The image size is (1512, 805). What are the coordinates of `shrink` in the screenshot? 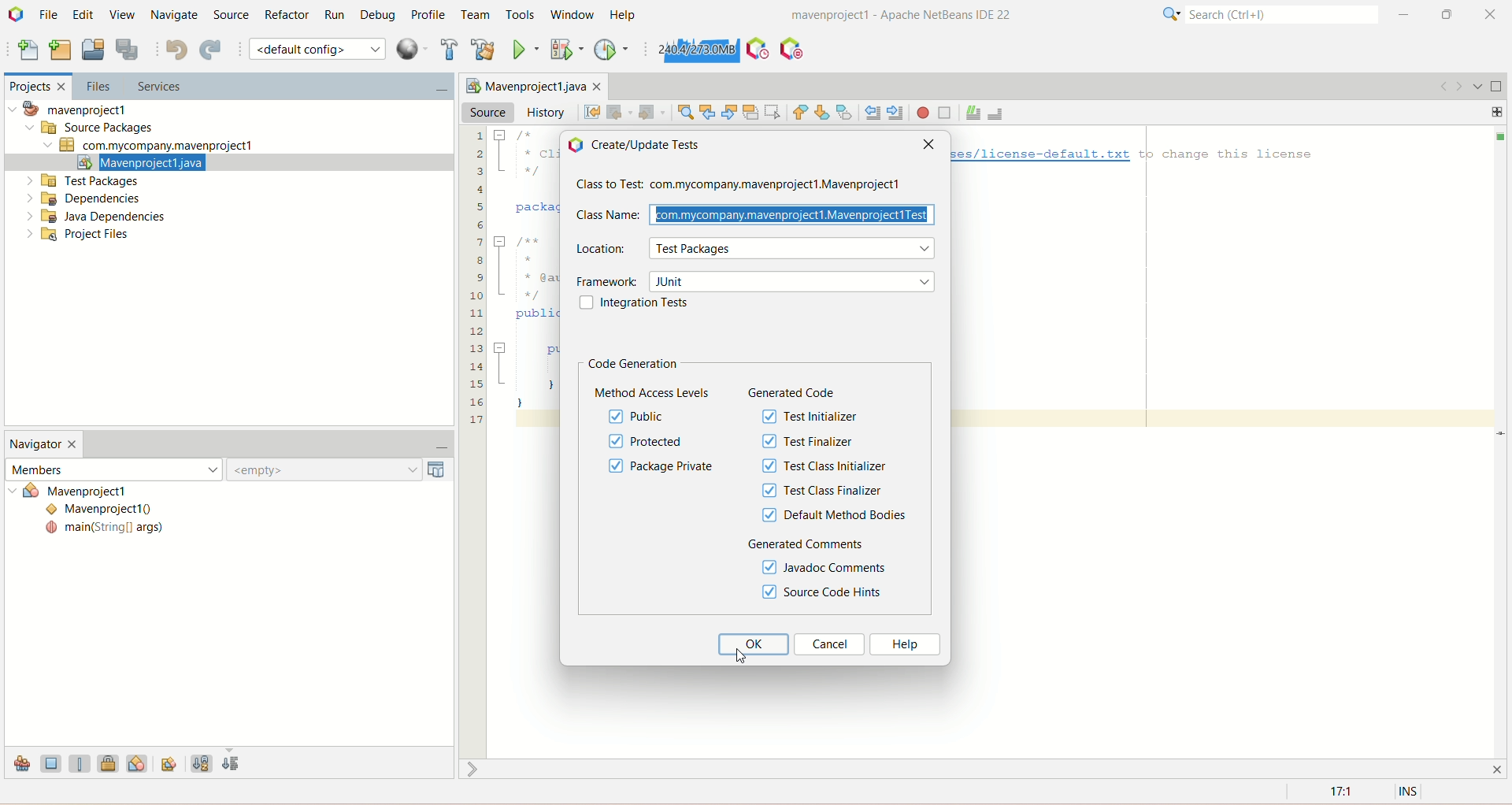 It's located at (475, 769).